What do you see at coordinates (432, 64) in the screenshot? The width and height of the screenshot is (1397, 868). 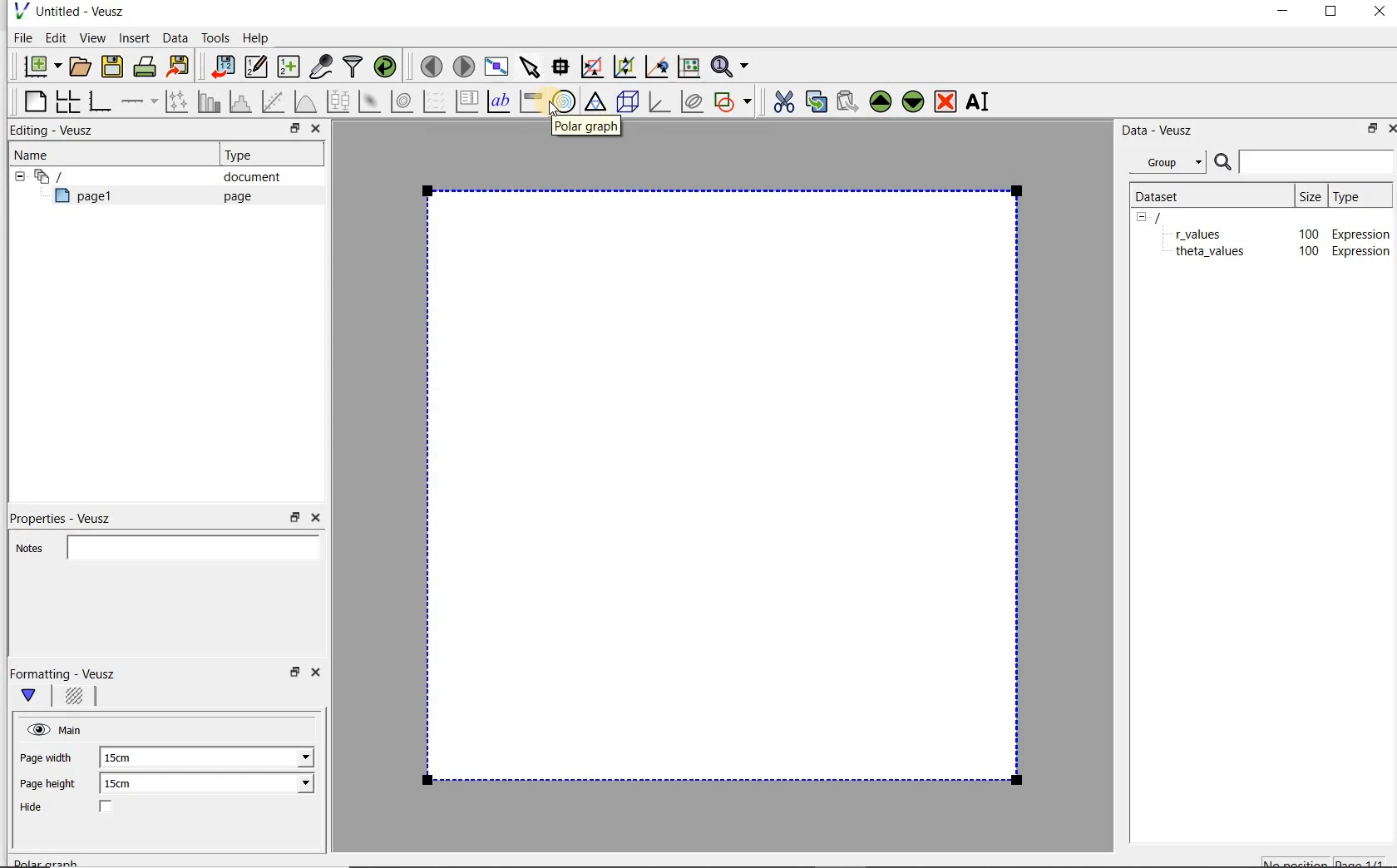 I see `move to the previous page` at bounding box center [432, 64].